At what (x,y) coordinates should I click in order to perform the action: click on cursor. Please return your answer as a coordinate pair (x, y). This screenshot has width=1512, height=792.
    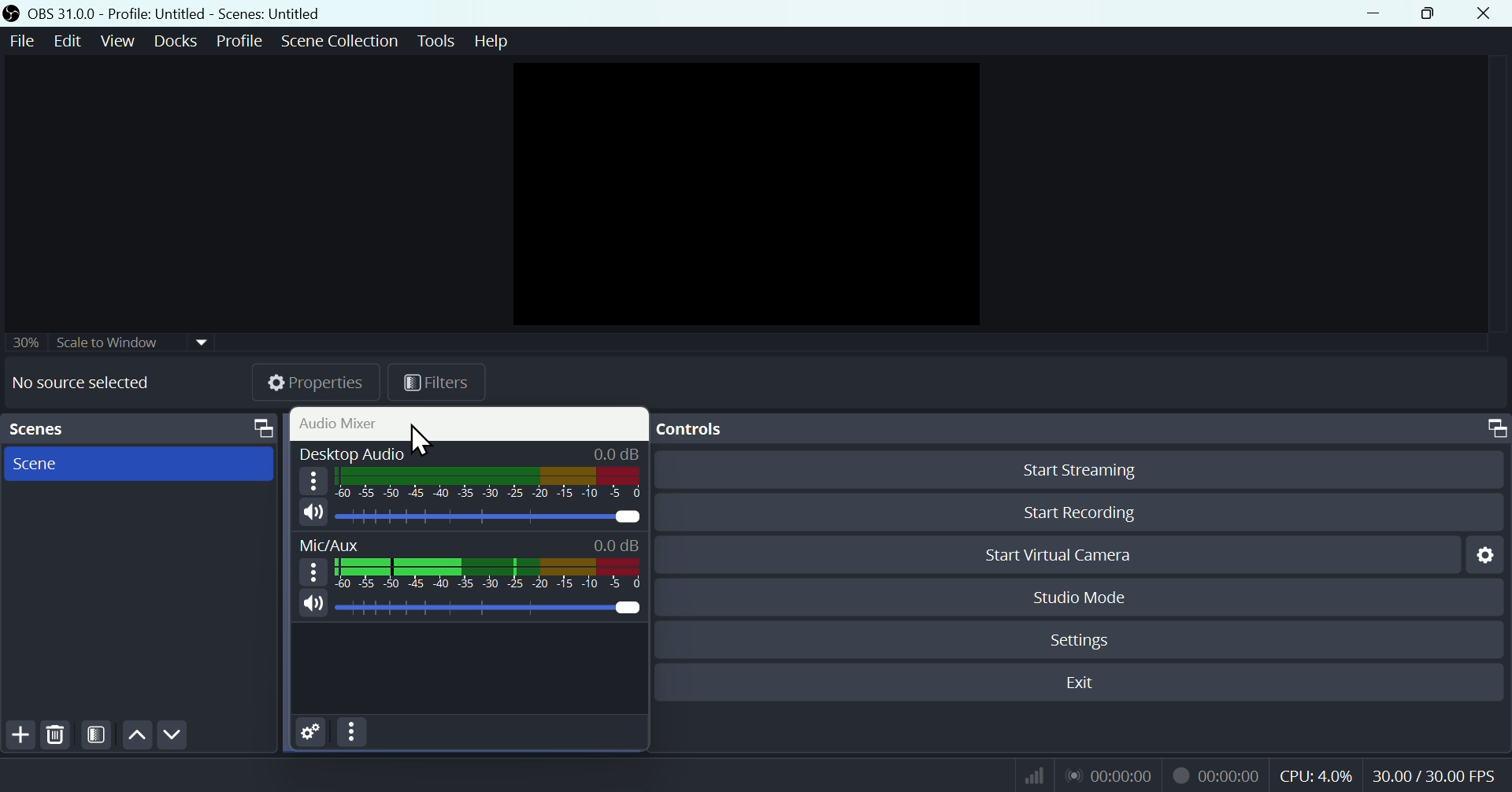
    Looking at the image, I should click on (421, 442).